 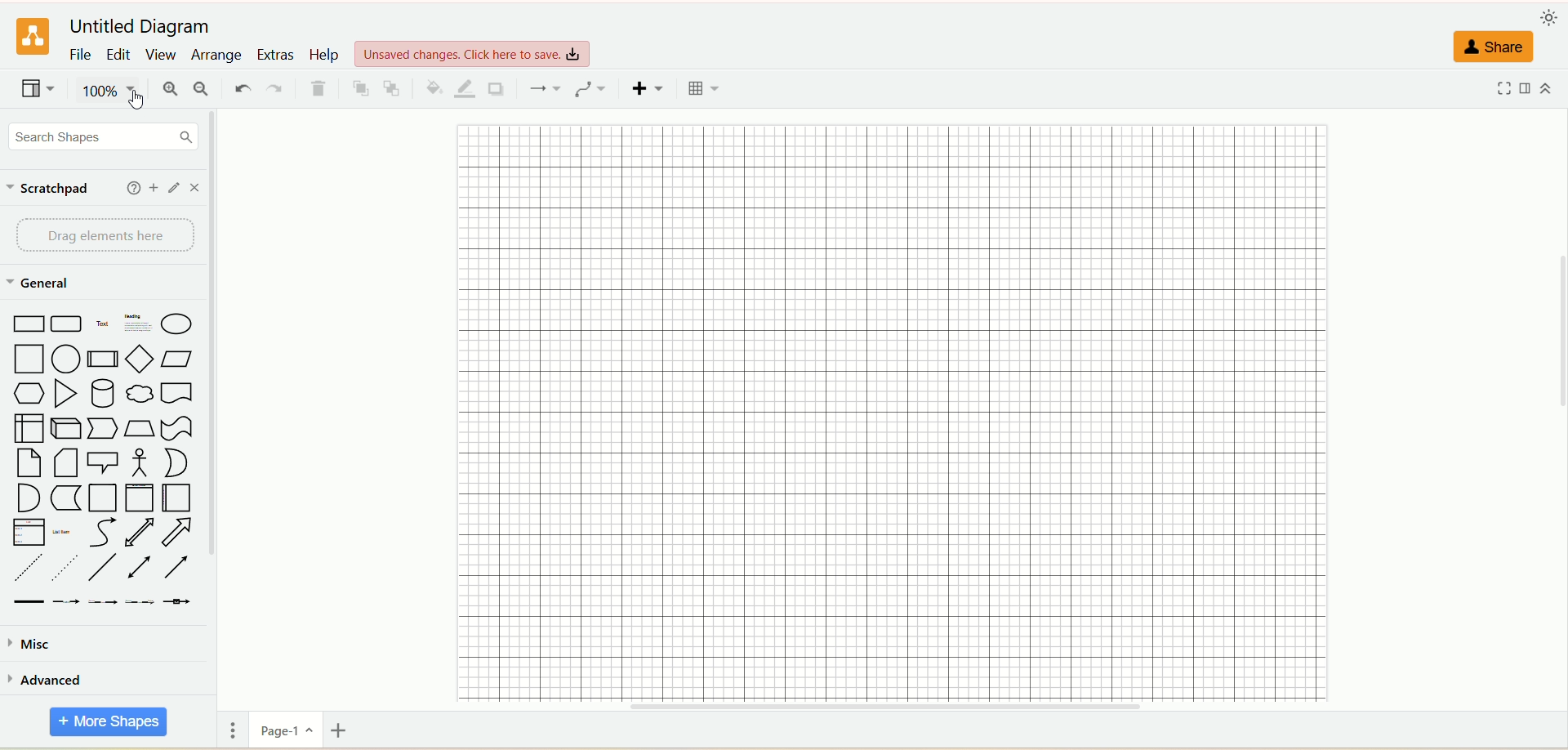 What do you see at coordinates (68, 499) in the screenshot?
I see `data storage` at bounding box center [68, 499].